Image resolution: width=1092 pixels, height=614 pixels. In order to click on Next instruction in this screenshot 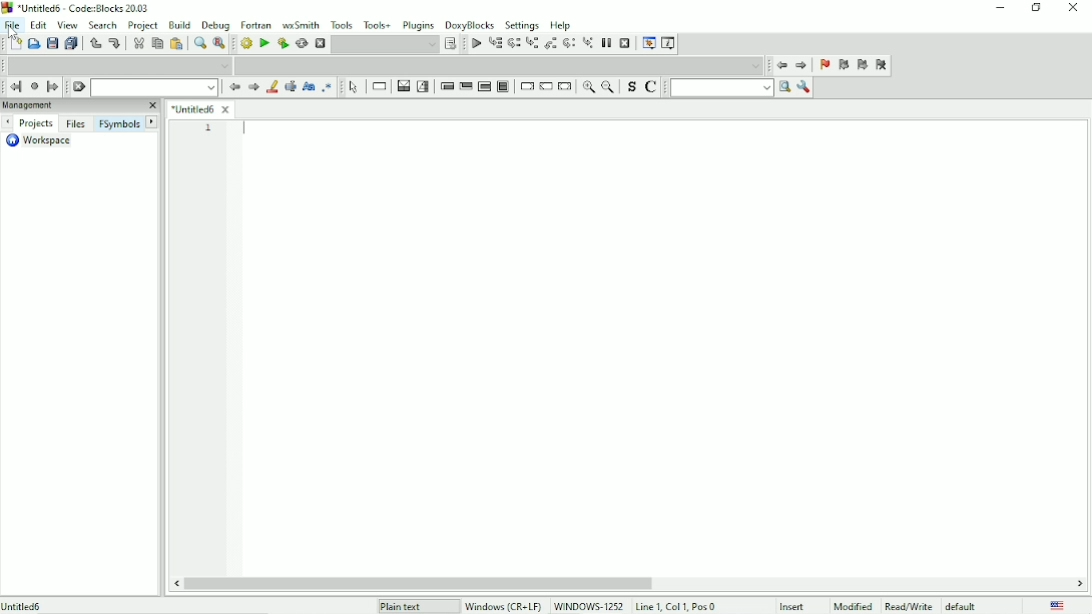, I will do `click(570, 44)`.